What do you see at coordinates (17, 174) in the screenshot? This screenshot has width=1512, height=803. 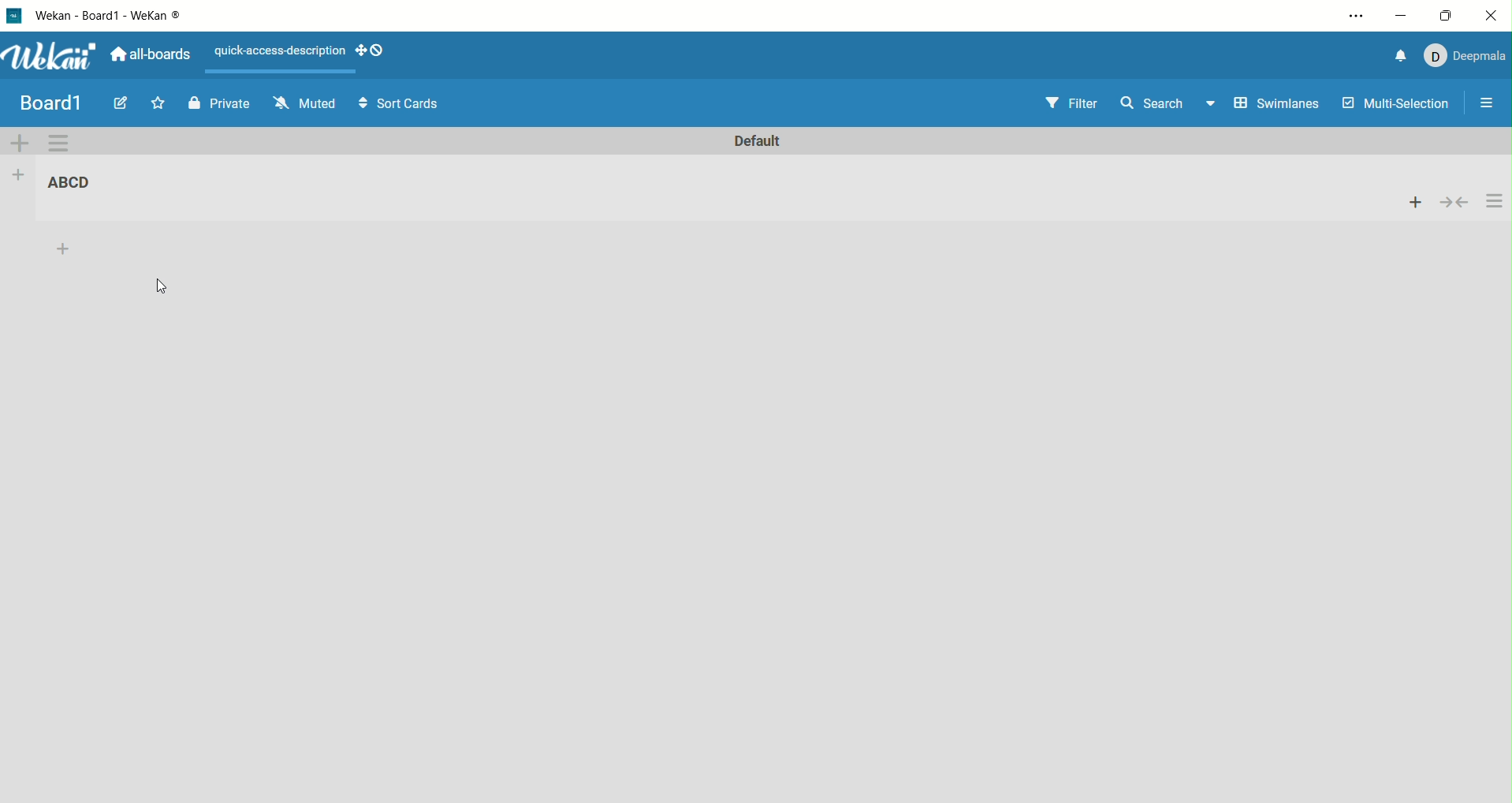 I see `add list` at bounding box center [17, 174].